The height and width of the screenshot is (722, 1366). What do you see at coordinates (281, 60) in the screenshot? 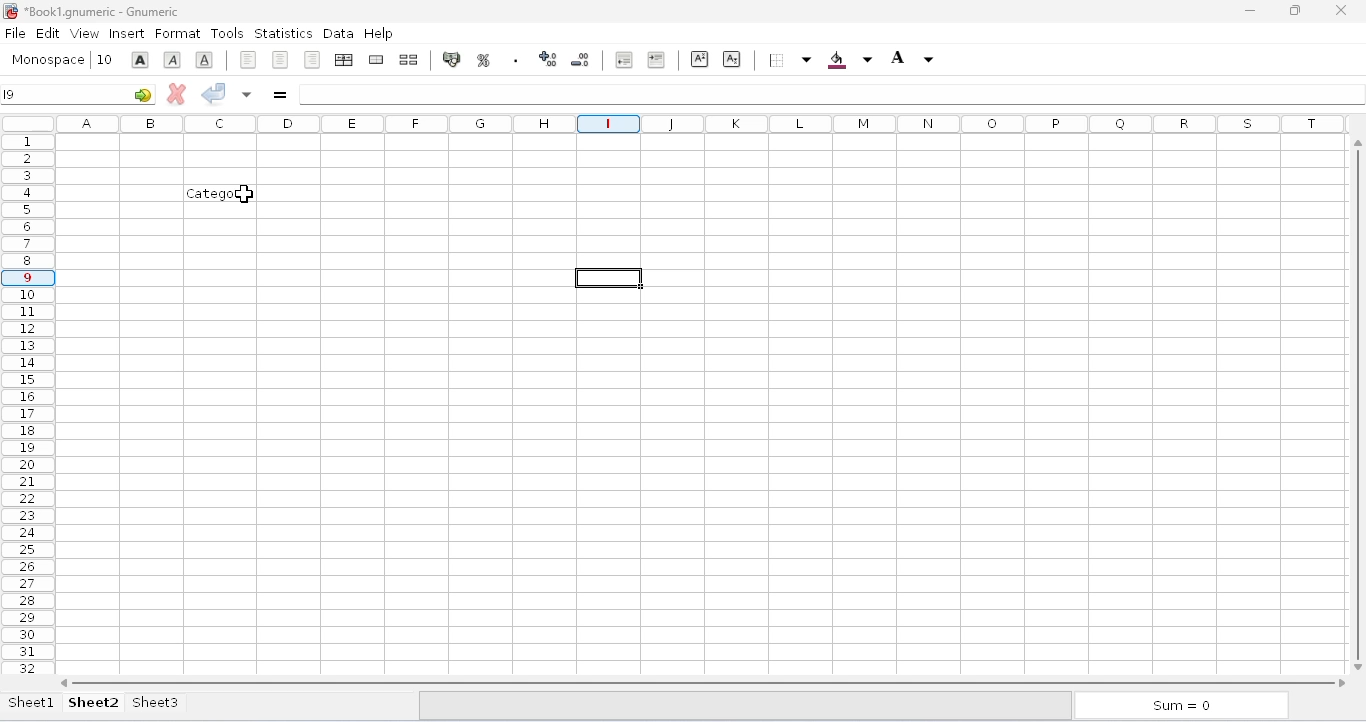
I see `center horizontally` at bounding box center [281, 60].